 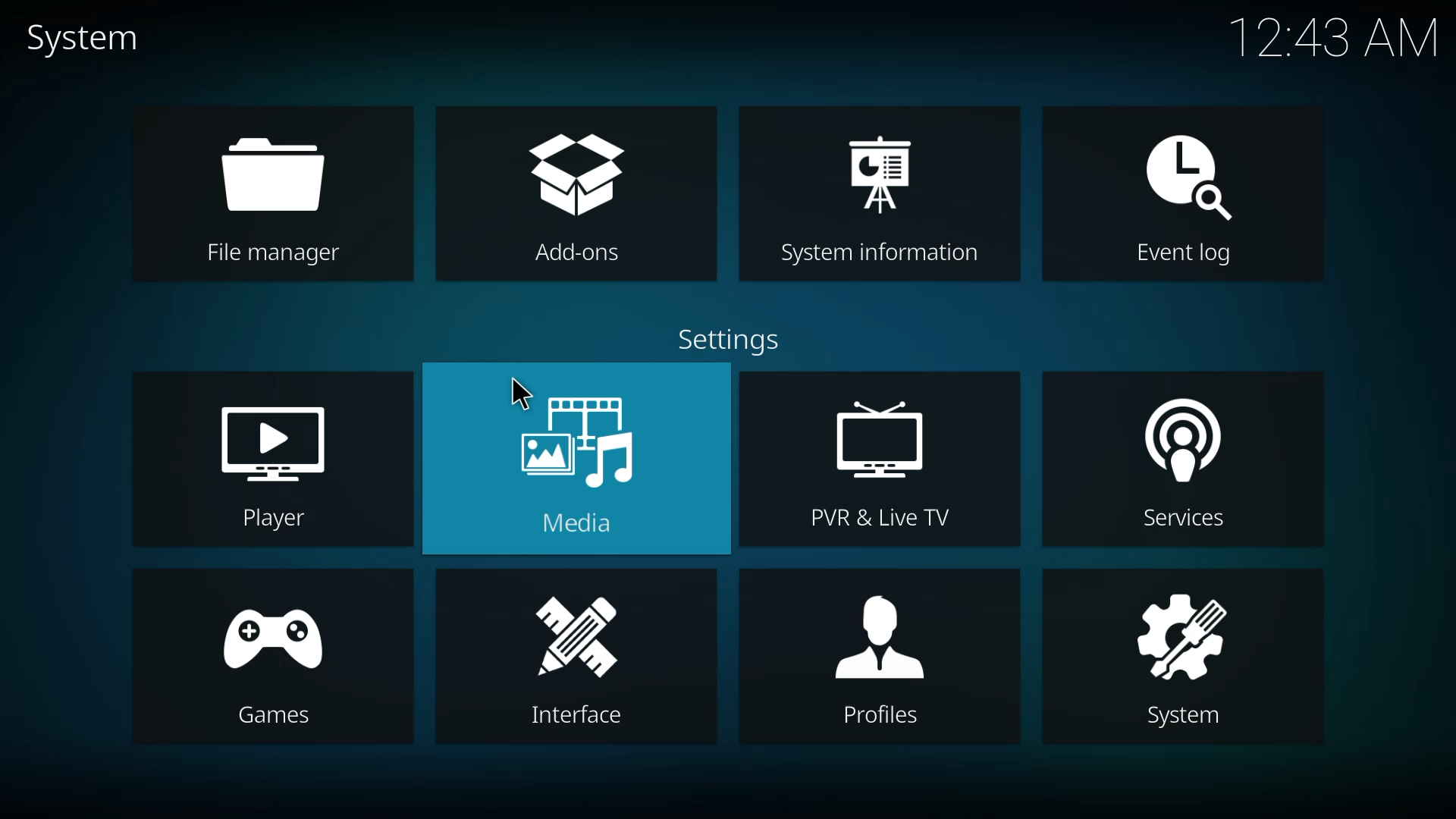 I want to click on add-ons, so click(x=573, y=196).